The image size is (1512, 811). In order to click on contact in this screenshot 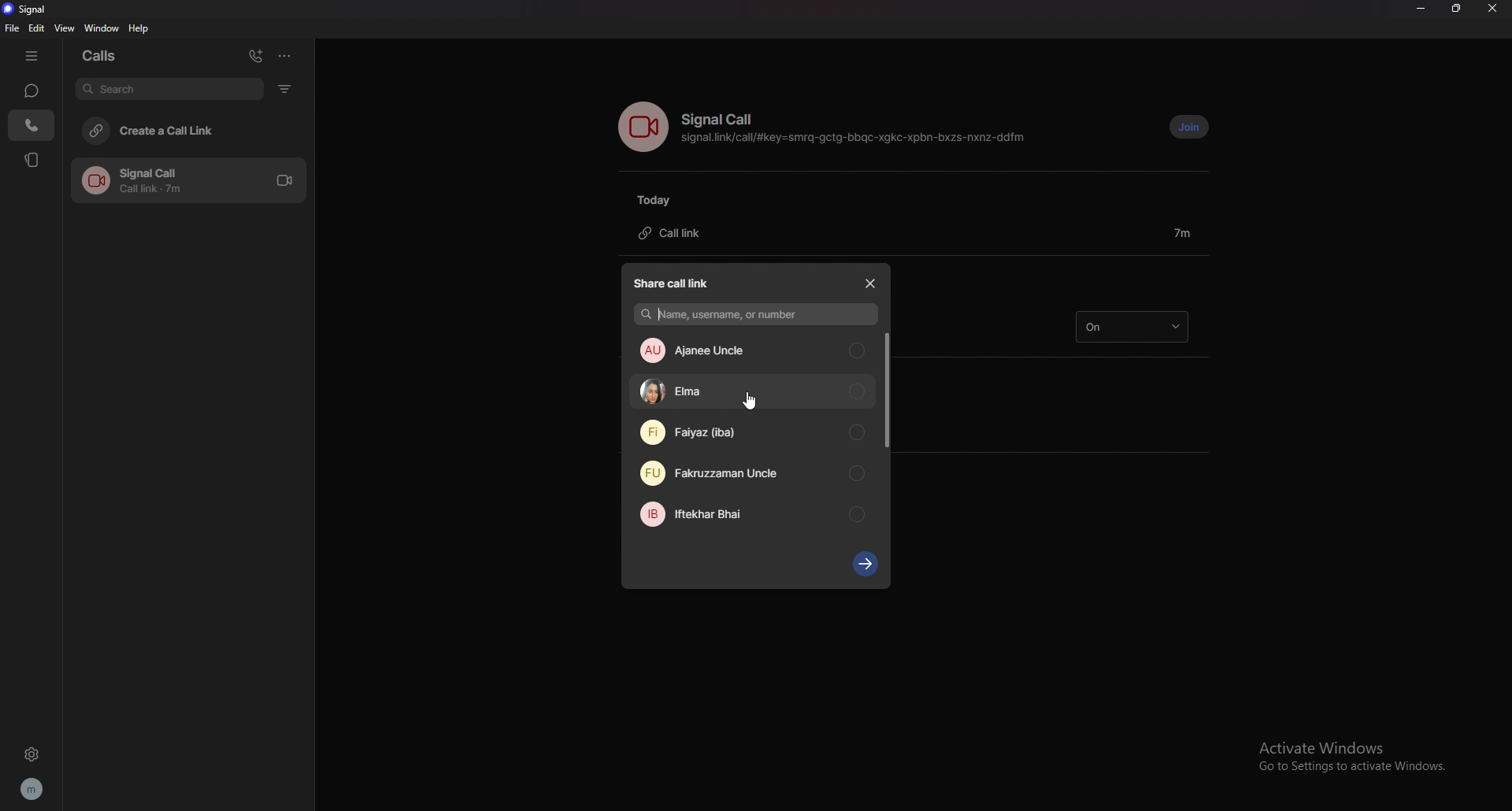, I will do `click(754, 351)`.